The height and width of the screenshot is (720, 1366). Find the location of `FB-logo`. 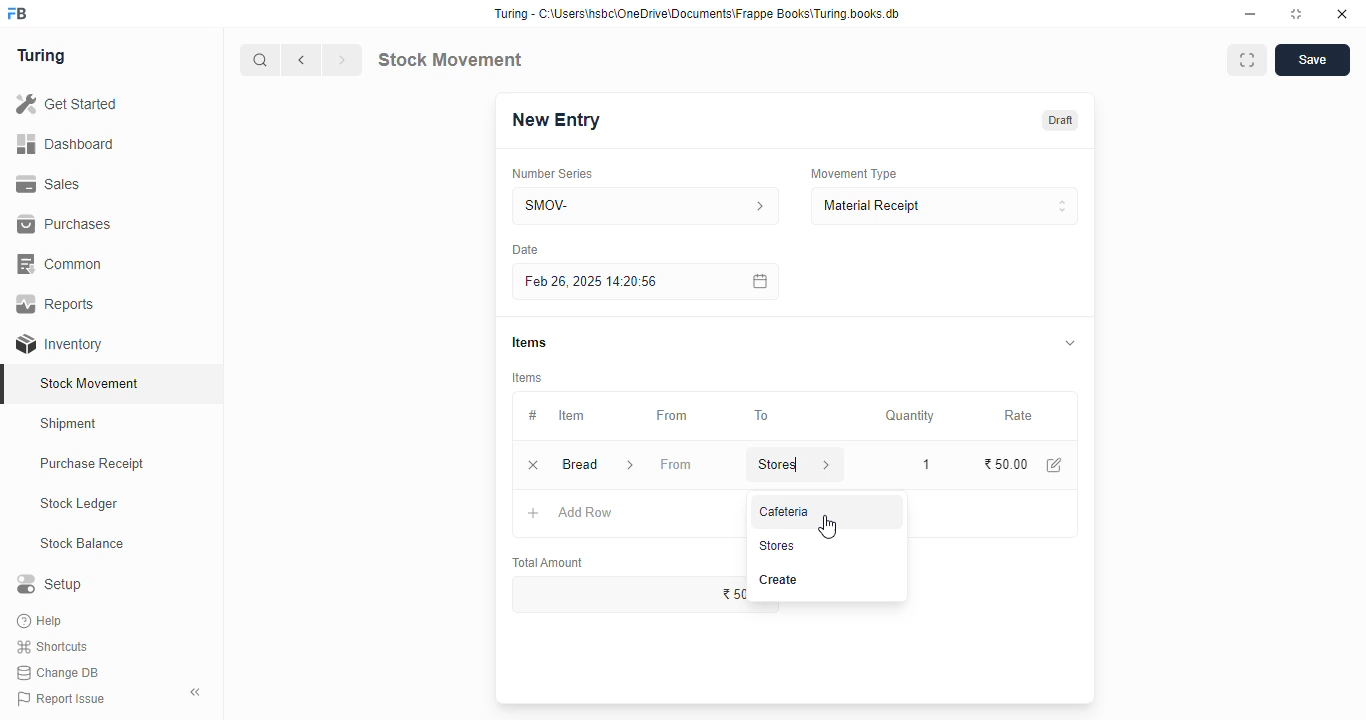

FB-logo is located at coordinates (17, 13).